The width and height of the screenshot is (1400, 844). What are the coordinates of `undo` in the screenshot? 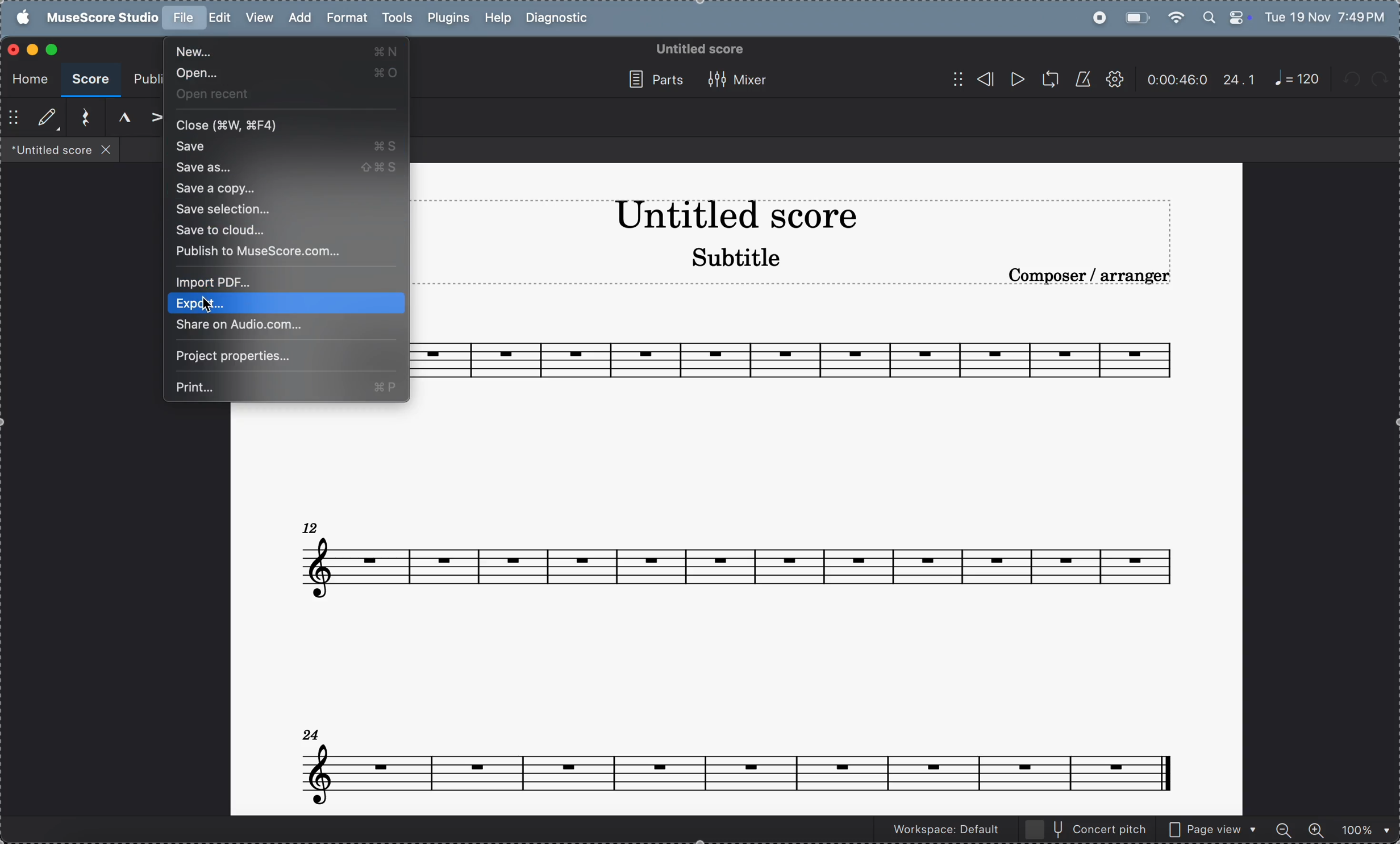 It's located at (1354, 81).